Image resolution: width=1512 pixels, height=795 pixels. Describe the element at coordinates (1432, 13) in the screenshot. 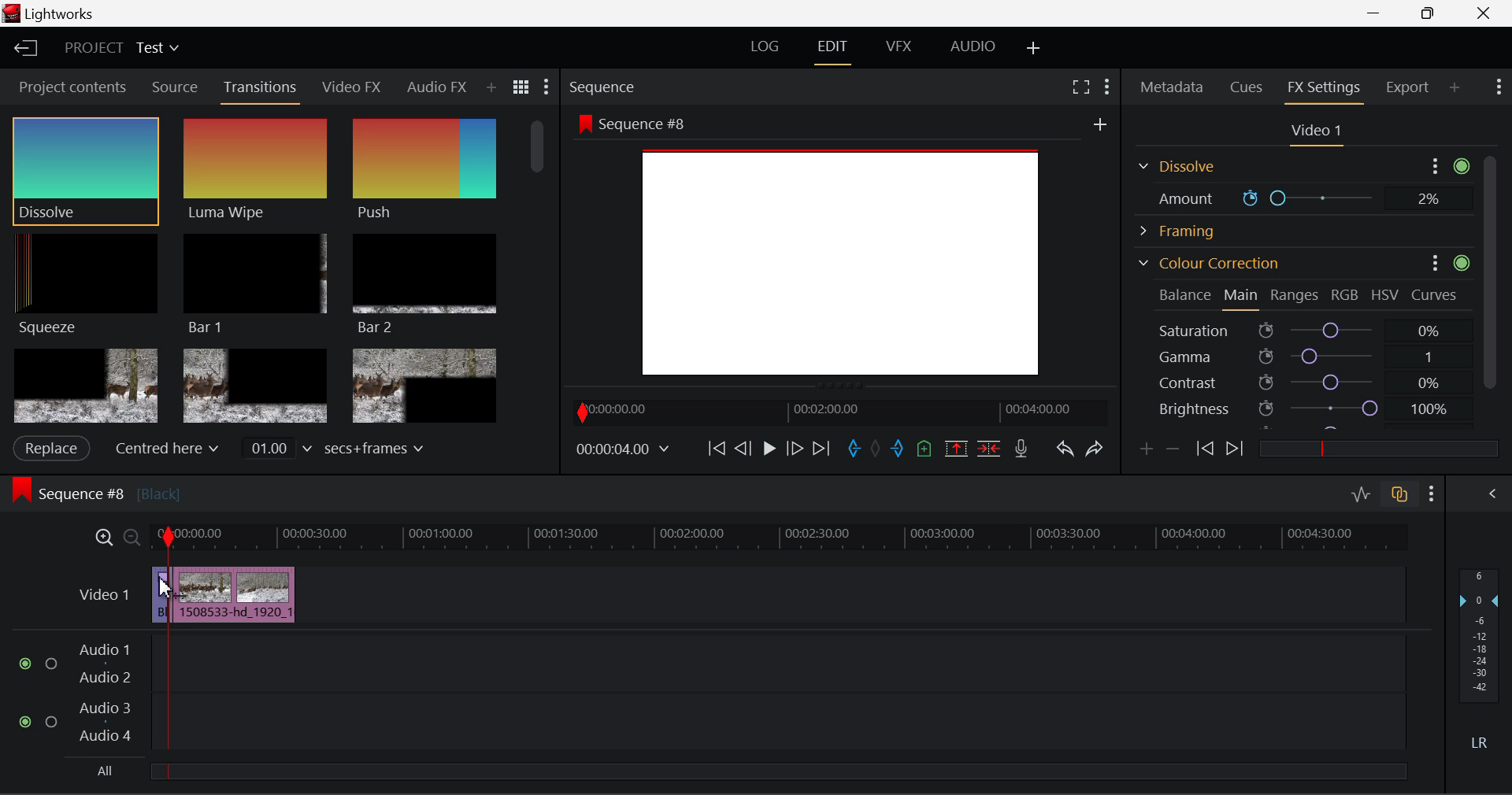

I see `Minimize` at that location.